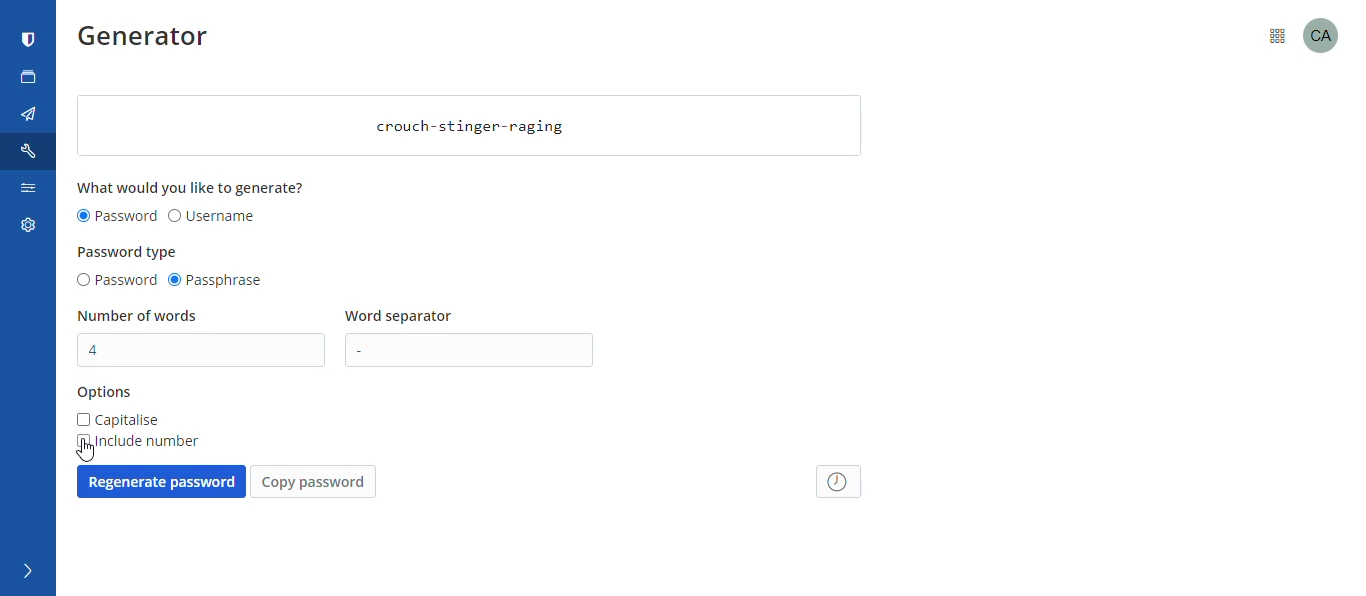  Describe the element at coordinates (161, 481) in the screenshot. I see `regenerate password` at that location.